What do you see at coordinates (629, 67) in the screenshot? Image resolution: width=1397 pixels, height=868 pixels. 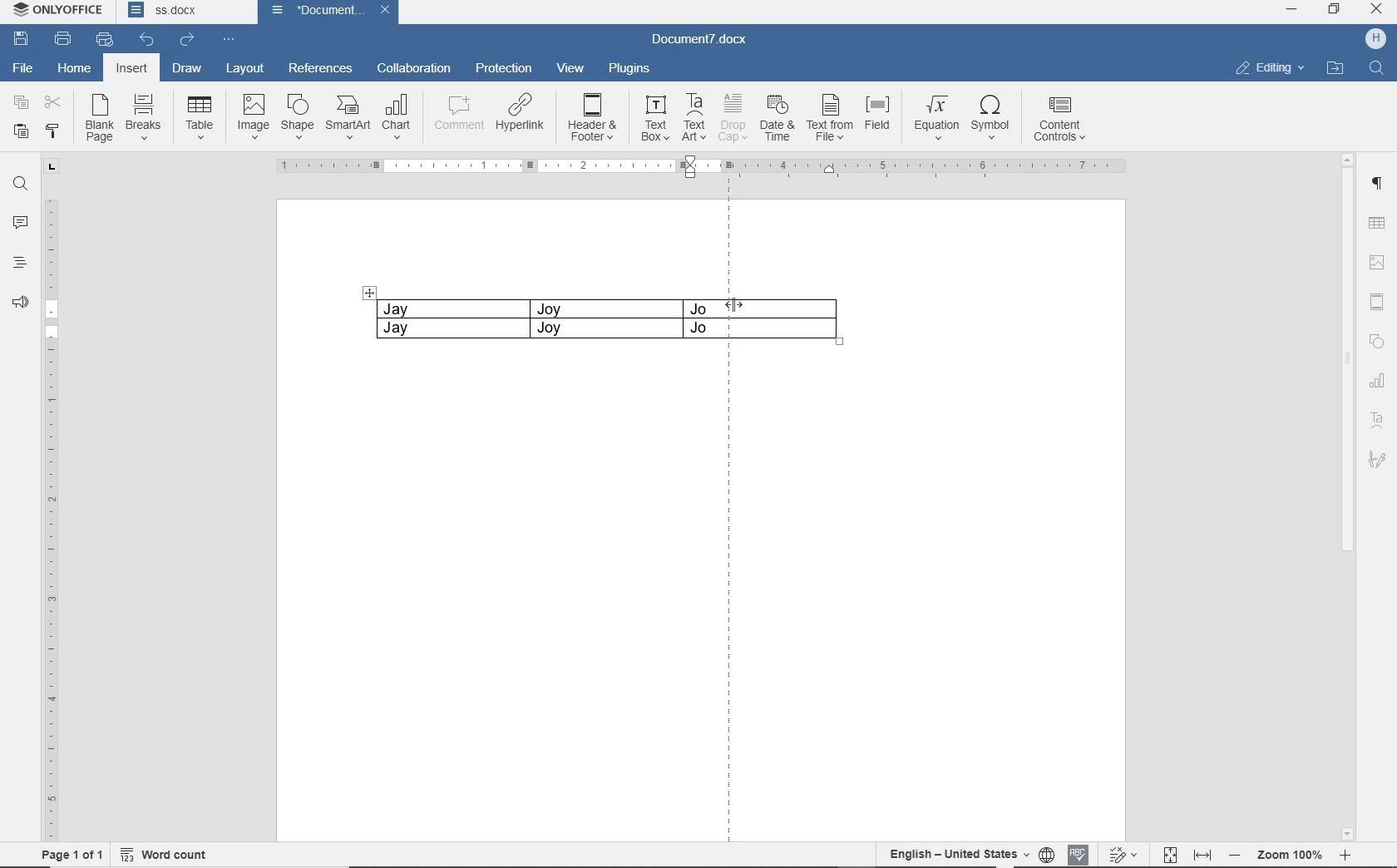 I see `PLUGINS` at bounding box center [629, 67].